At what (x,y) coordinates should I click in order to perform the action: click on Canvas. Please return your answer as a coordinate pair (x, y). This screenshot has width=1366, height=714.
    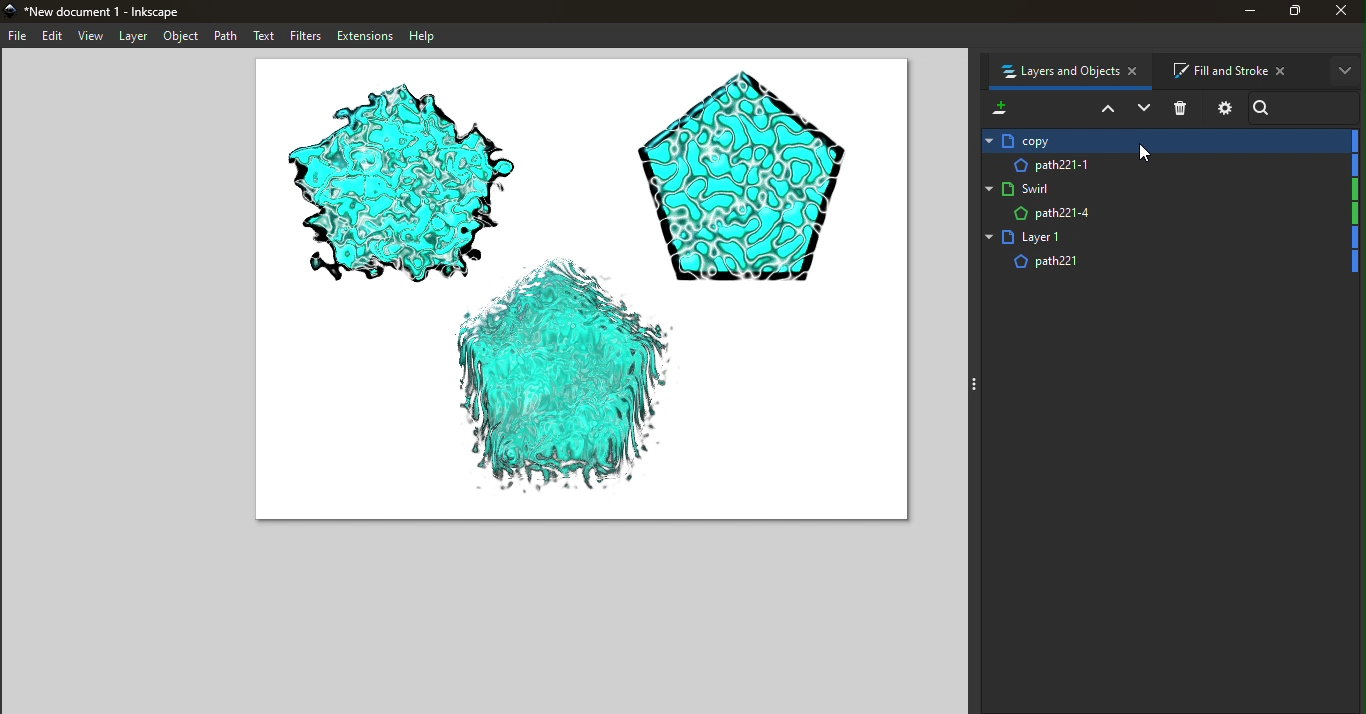
    Looking at the image, I should click on (594, 293).